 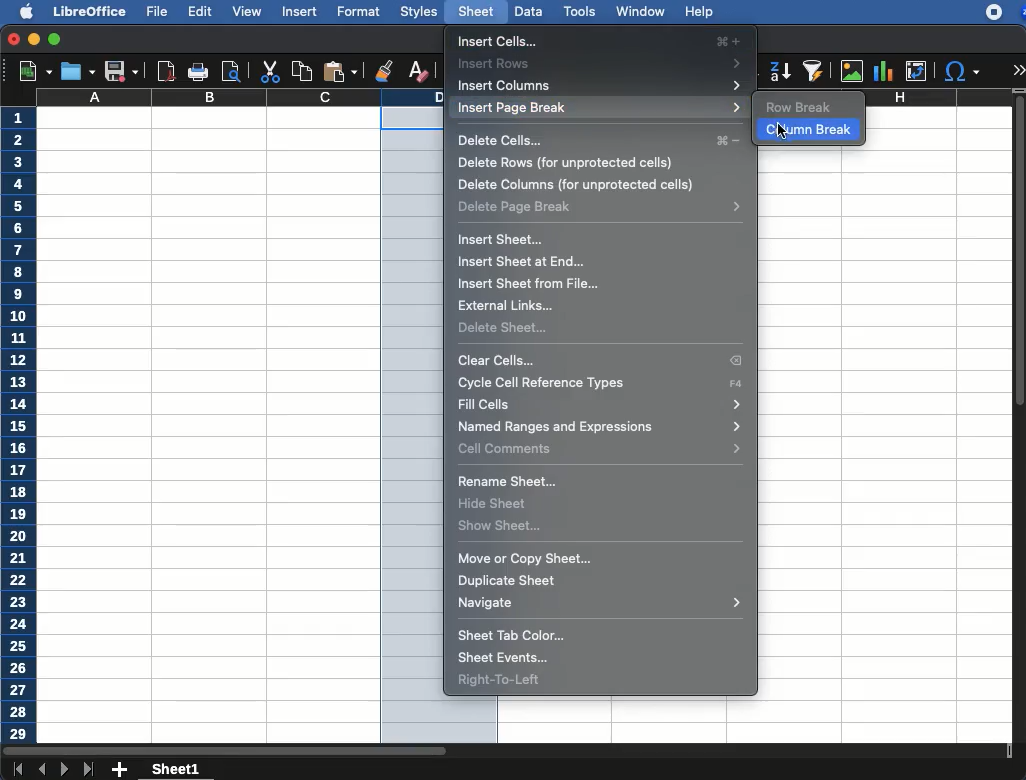 I want to click on cut, so click(x=269, y=71).